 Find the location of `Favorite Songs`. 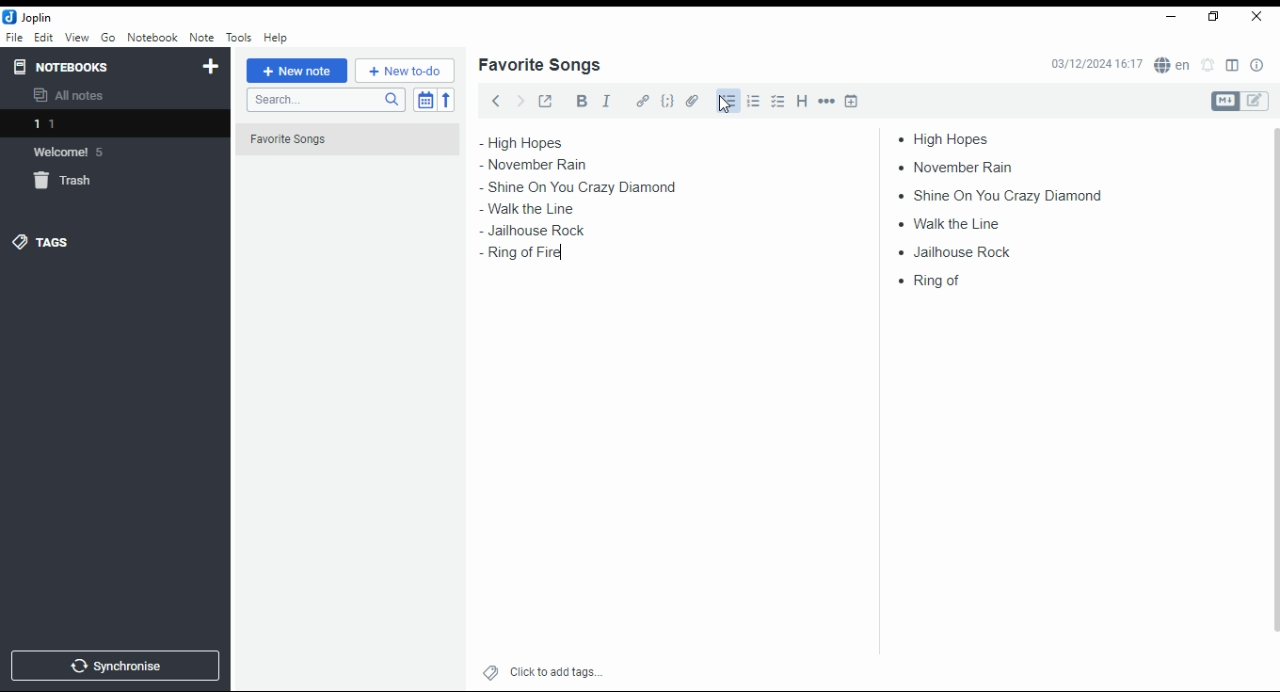

Favorite Songs is located at coordinates (337, 140).